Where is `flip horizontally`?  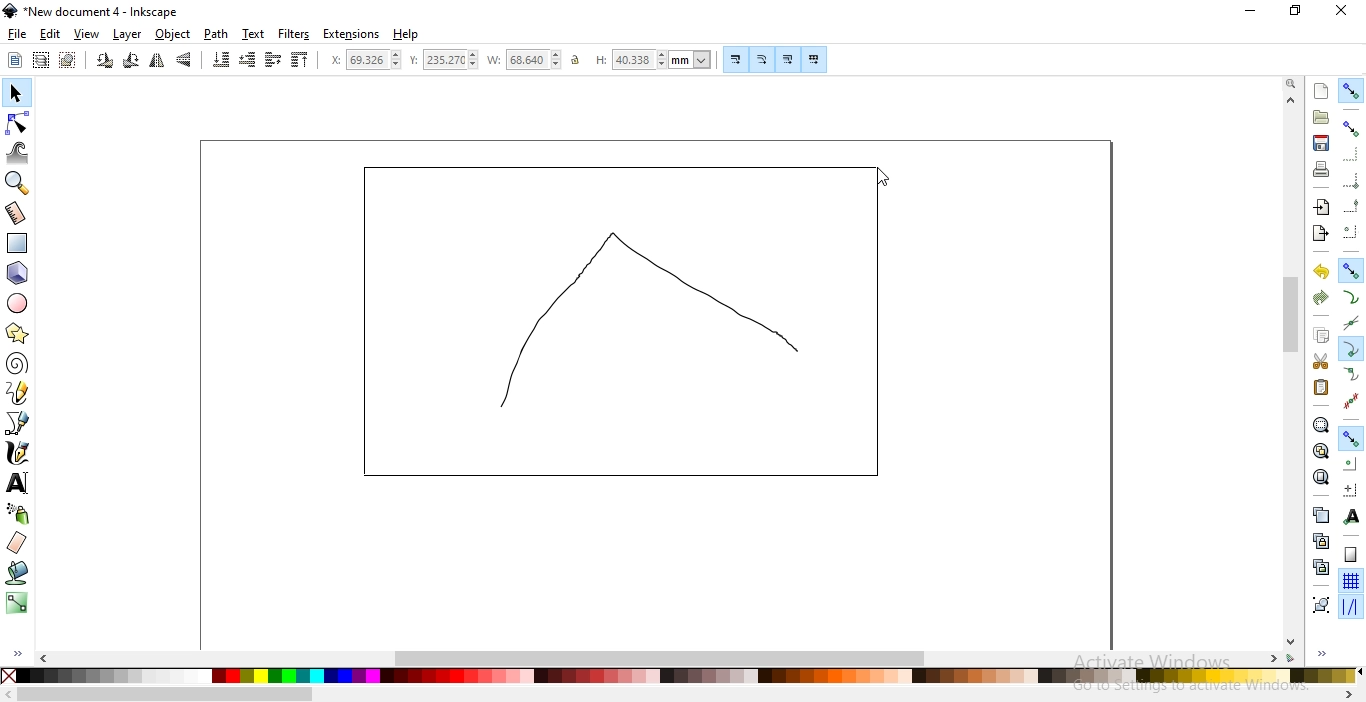 flip horizontally is located at coordinates (156, 62).